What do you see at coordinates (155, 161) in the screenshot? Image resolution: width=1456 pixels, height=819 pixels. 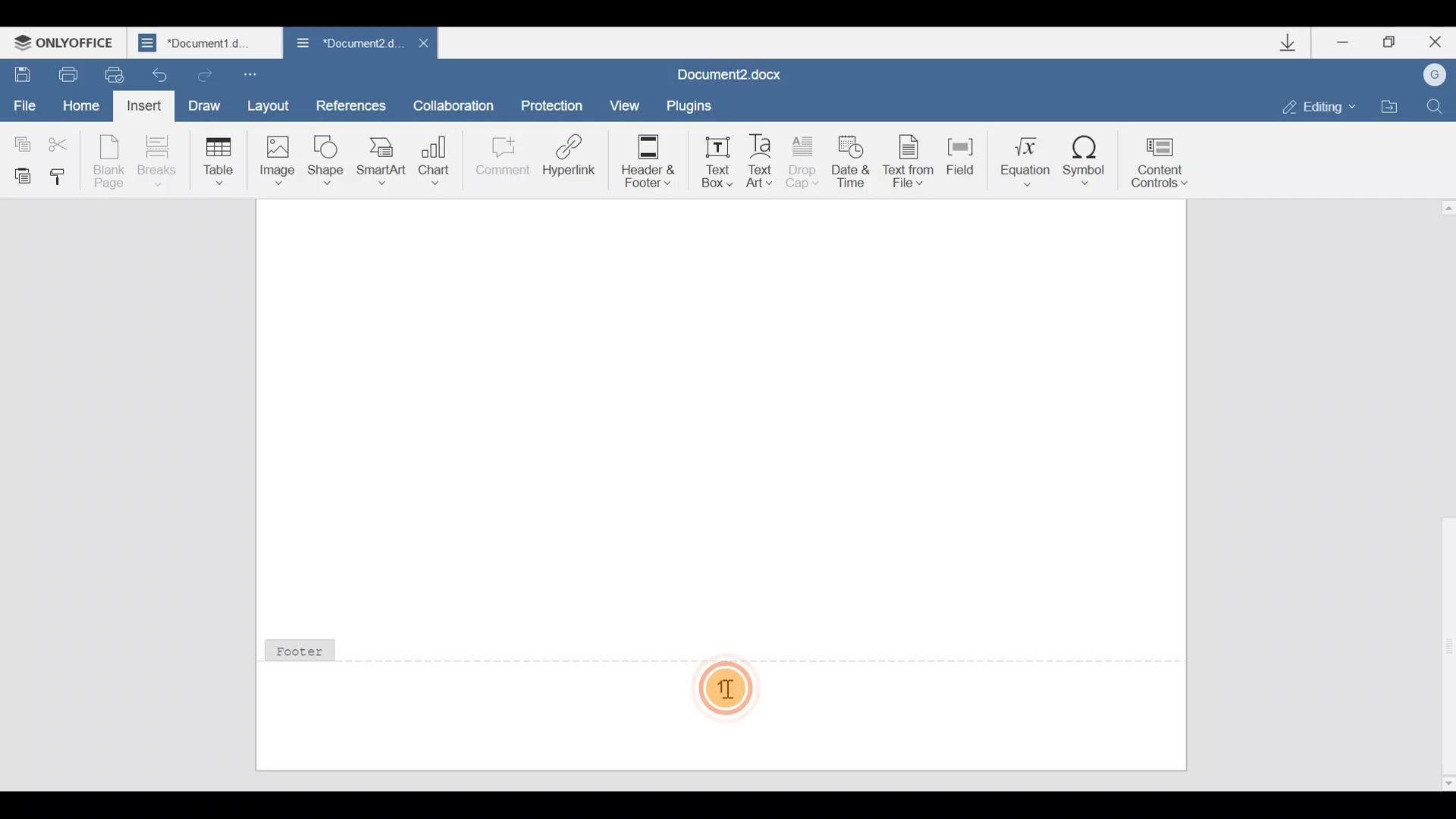 I see `Breaks` at bounding box center [155, 161].